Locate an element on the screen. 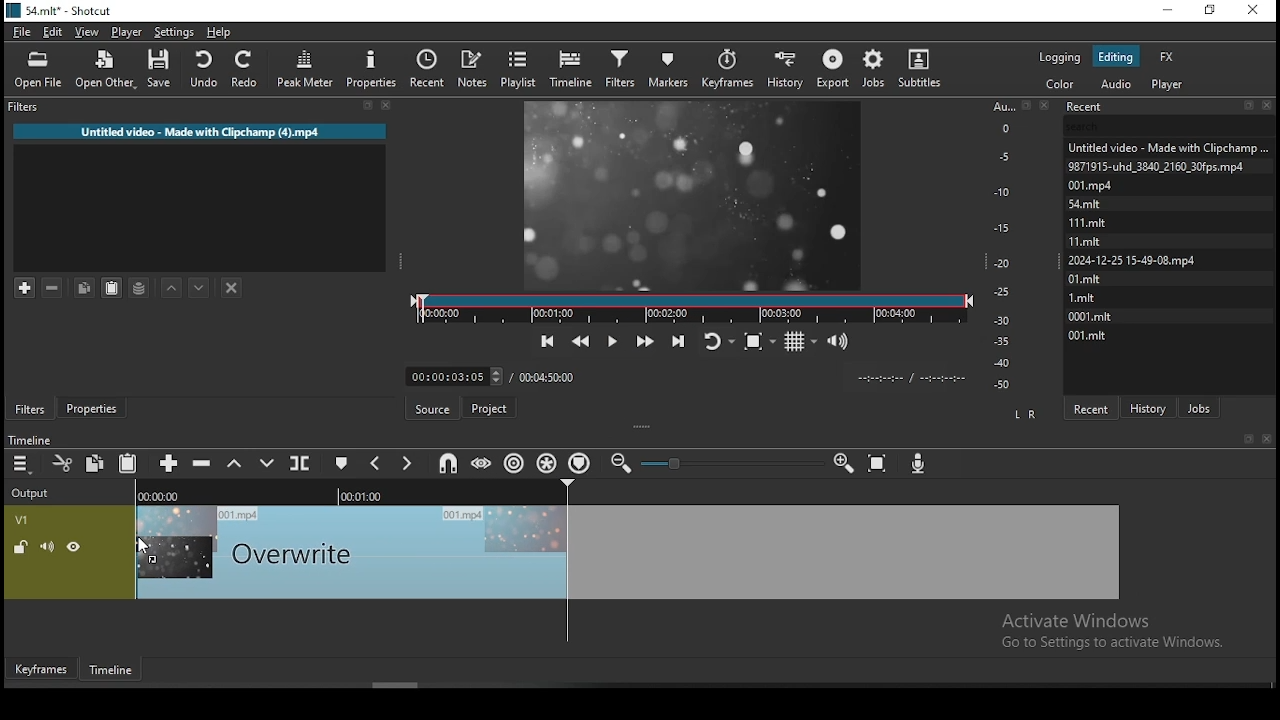 Image resolution: width=1280 pixels, height=720 pixels. copy is located at coordinates (86, 285).